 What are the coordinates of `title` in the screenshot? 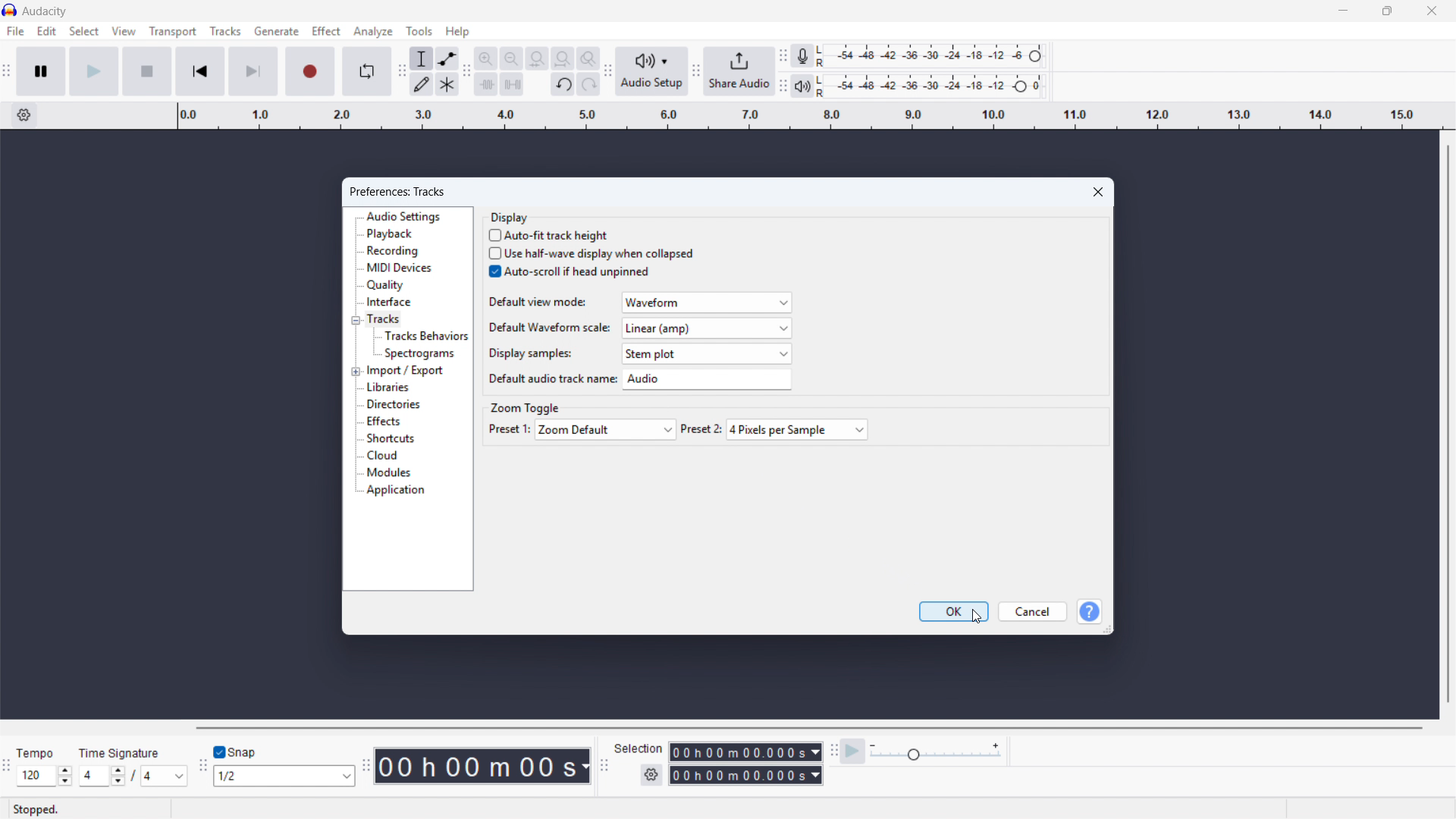 It's located at (45, 11).